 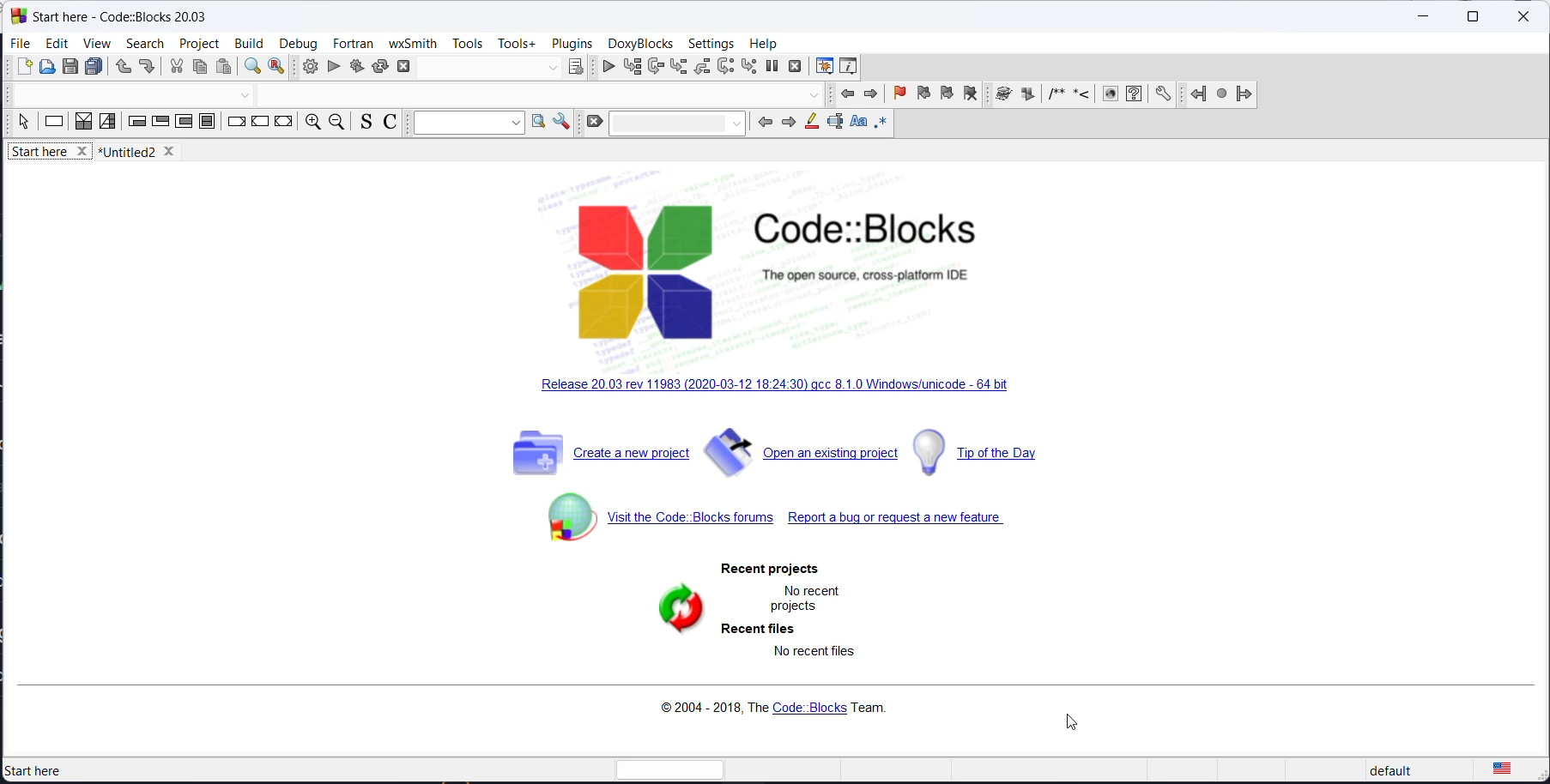 What do you see at coordinates (630, 67) in the screenshot?
I see `run to cursor` at bounding box center [630, 67].